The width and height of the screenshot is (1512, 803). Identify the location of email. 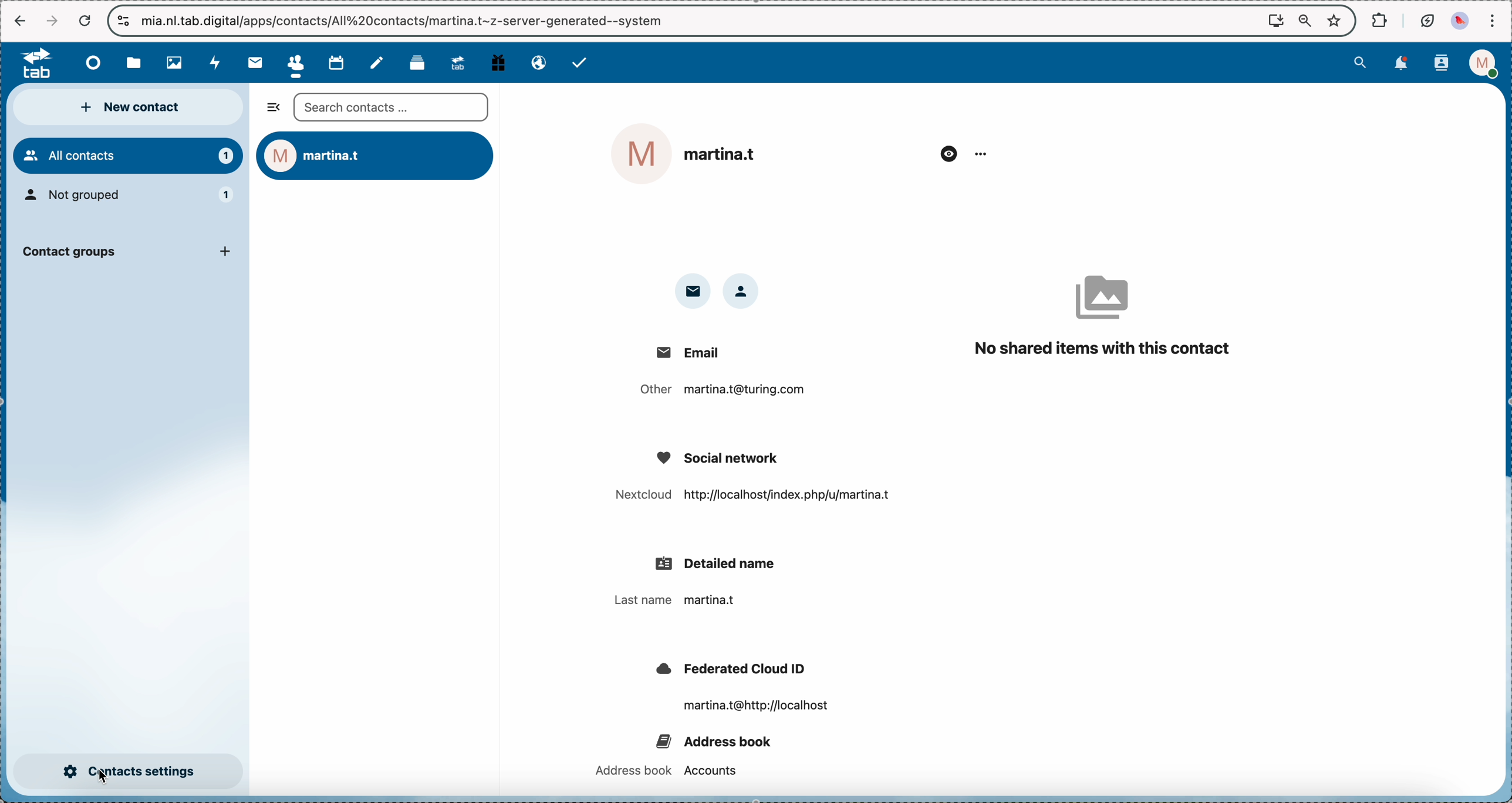
(694, 291).